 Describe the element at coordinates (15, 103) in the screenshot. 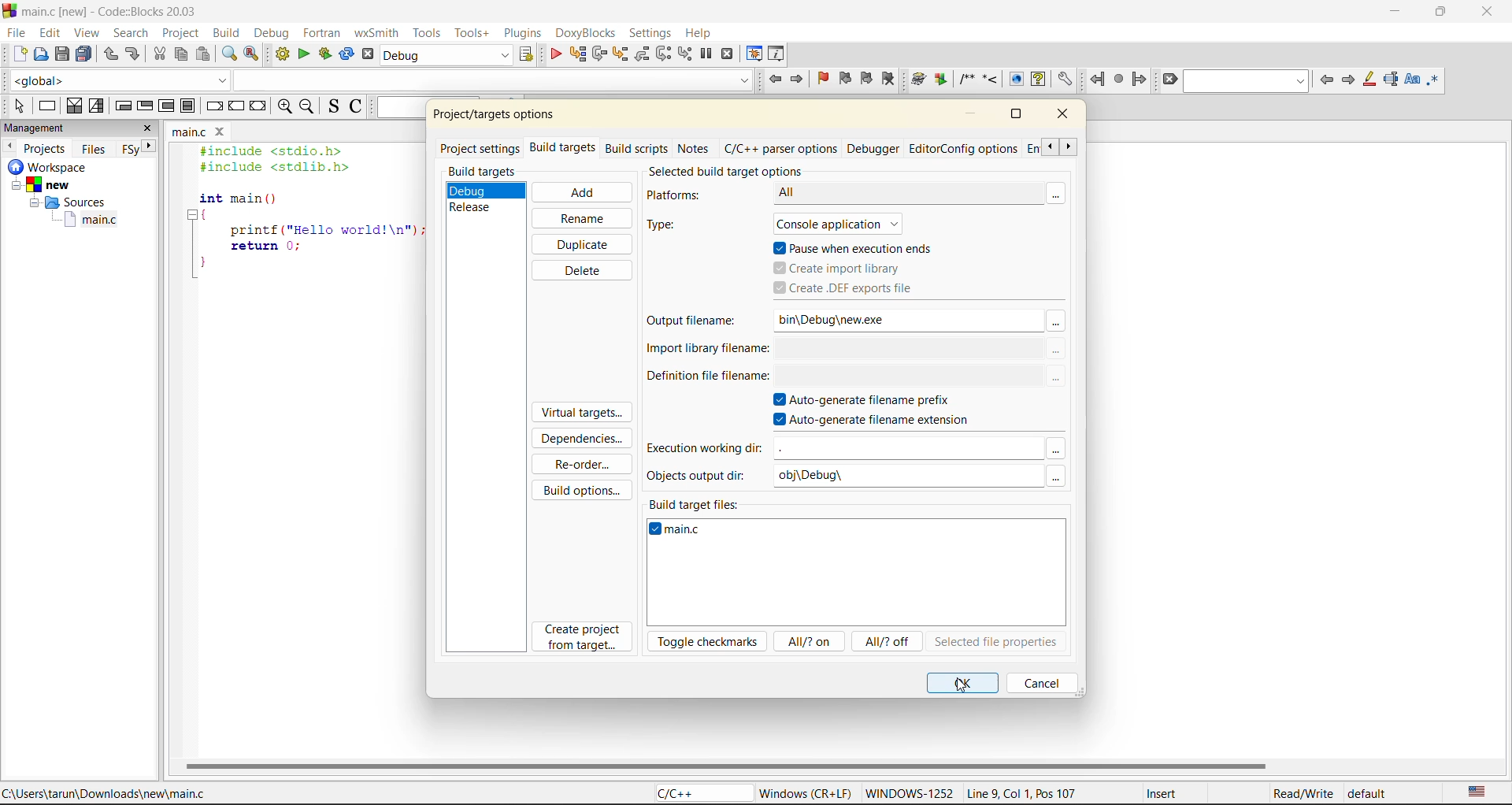

I see `select` at that location.